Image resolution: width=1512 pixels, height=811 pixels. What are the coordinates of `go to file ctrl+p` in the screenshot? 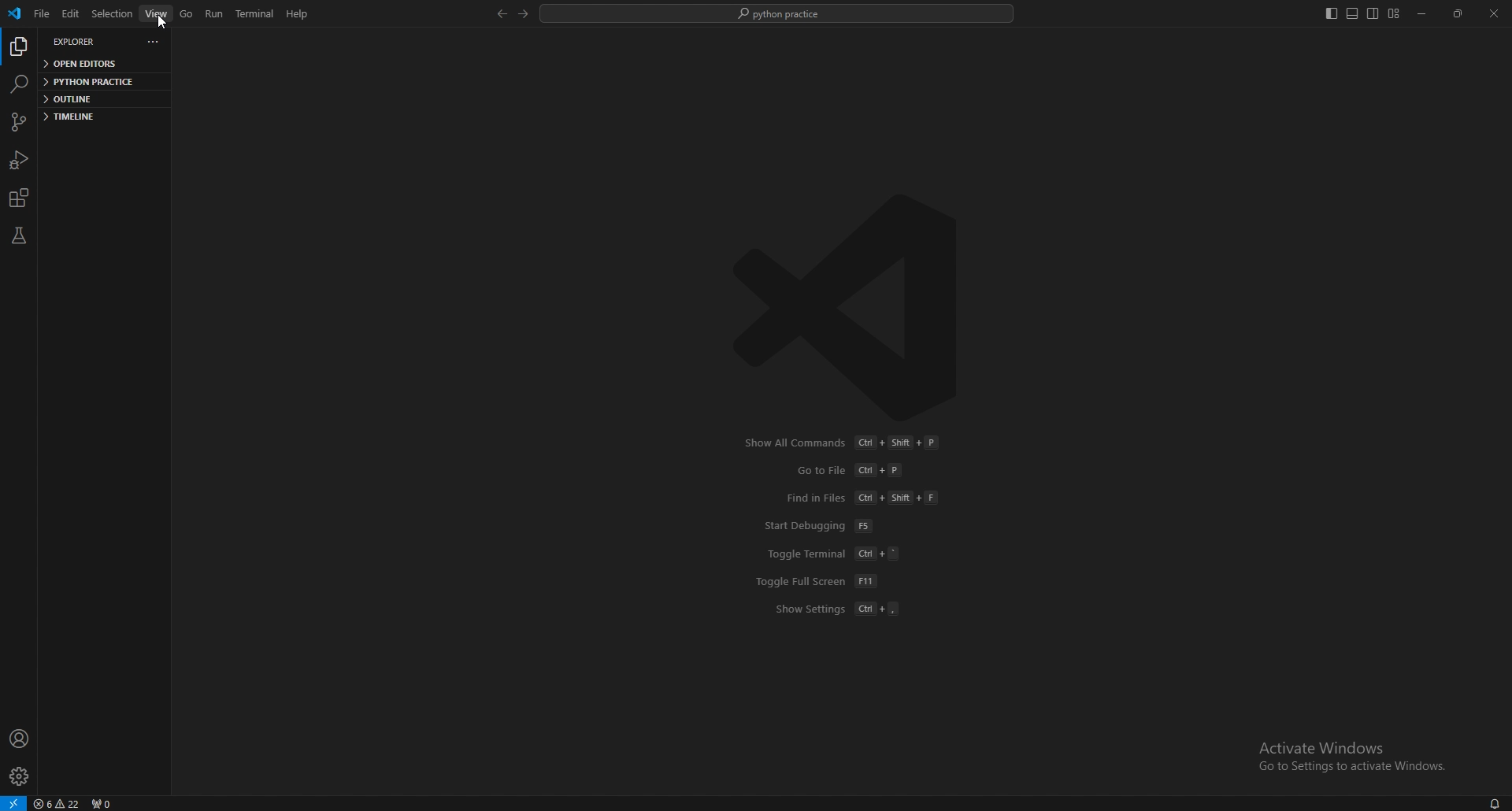 It's located at (854, 470).